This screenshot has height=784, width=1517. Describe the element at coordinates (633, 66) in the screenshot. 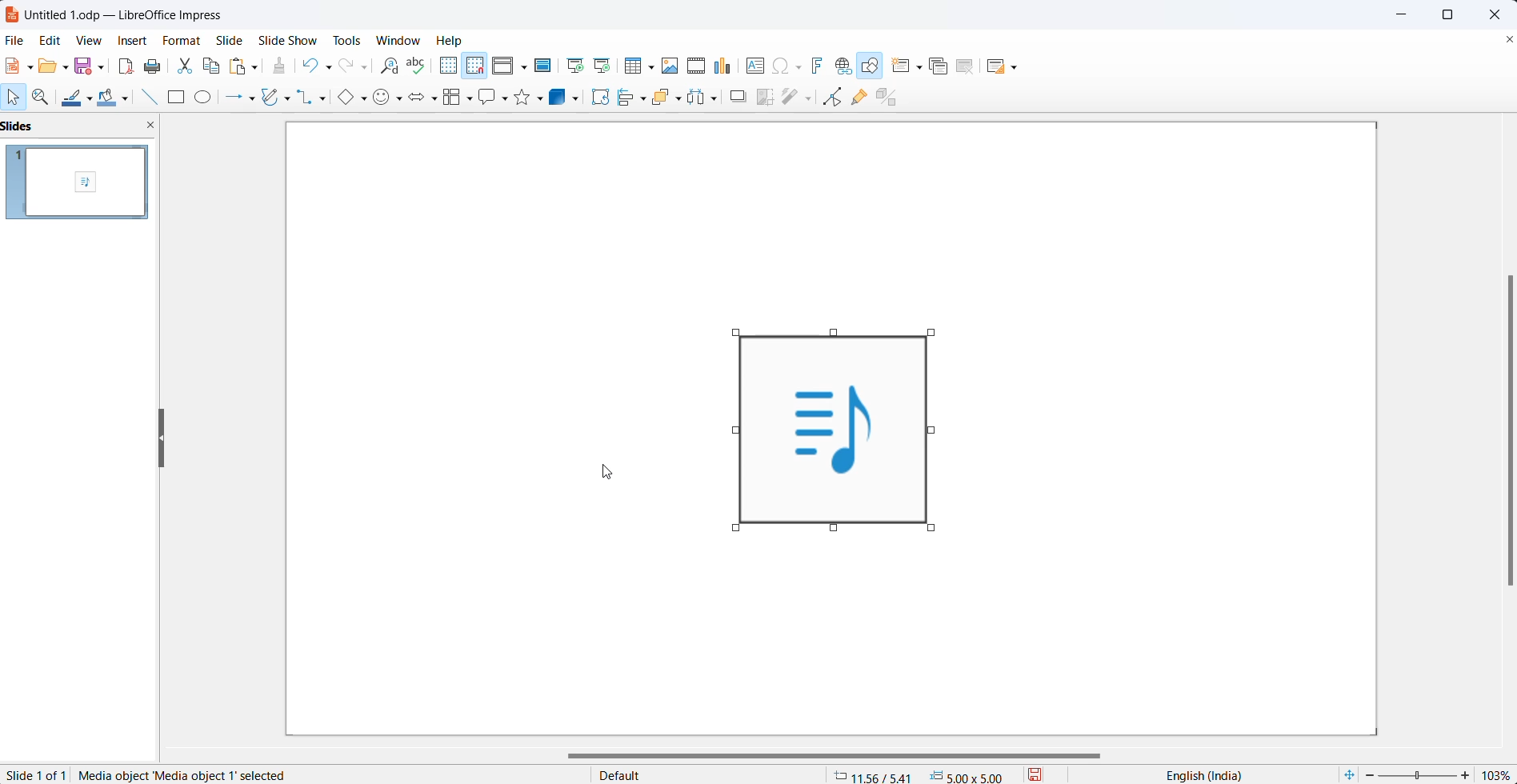

I see `insert table` at that location.